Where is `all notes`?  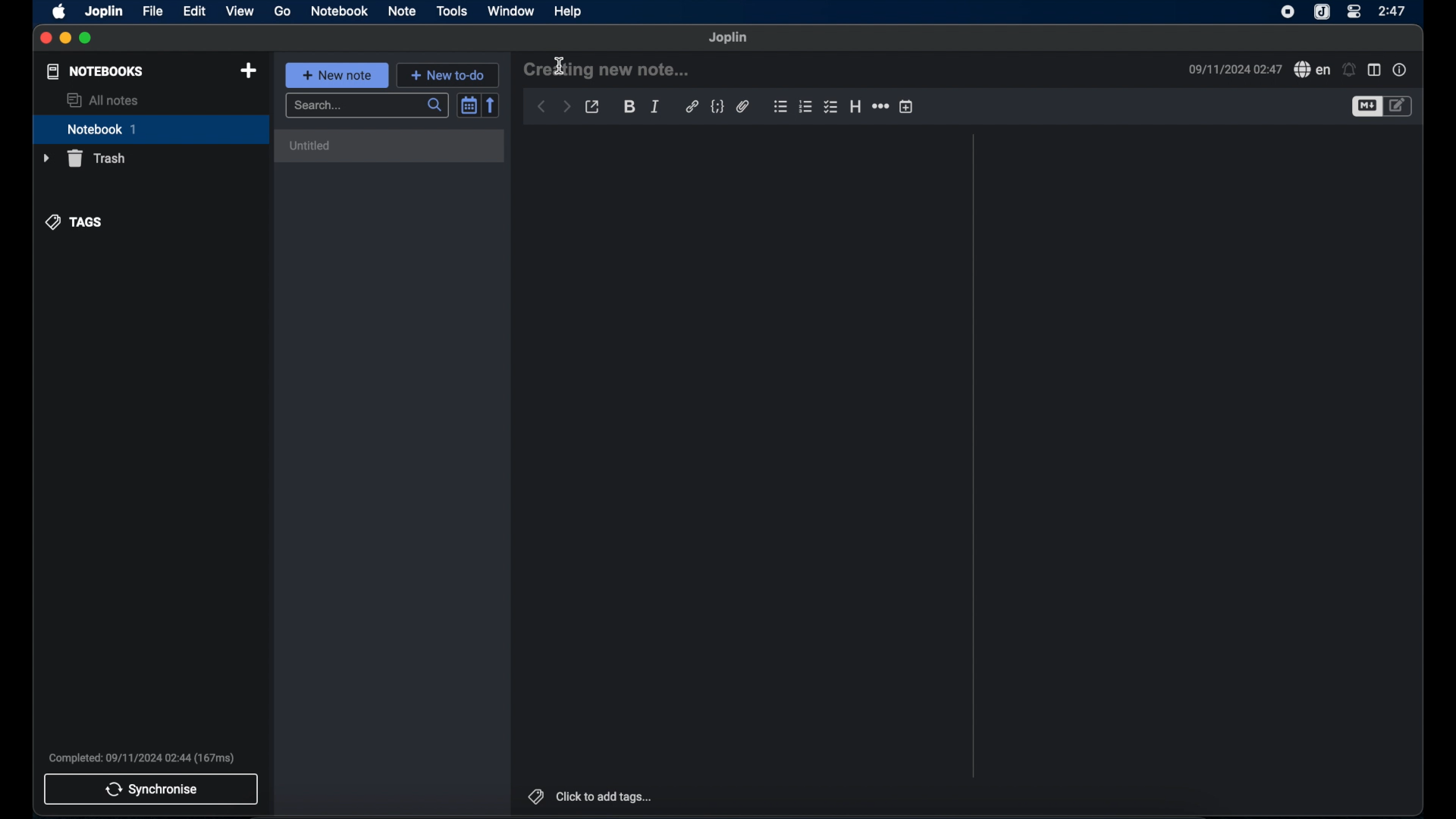 all notes is located at coordinates (102, 100).